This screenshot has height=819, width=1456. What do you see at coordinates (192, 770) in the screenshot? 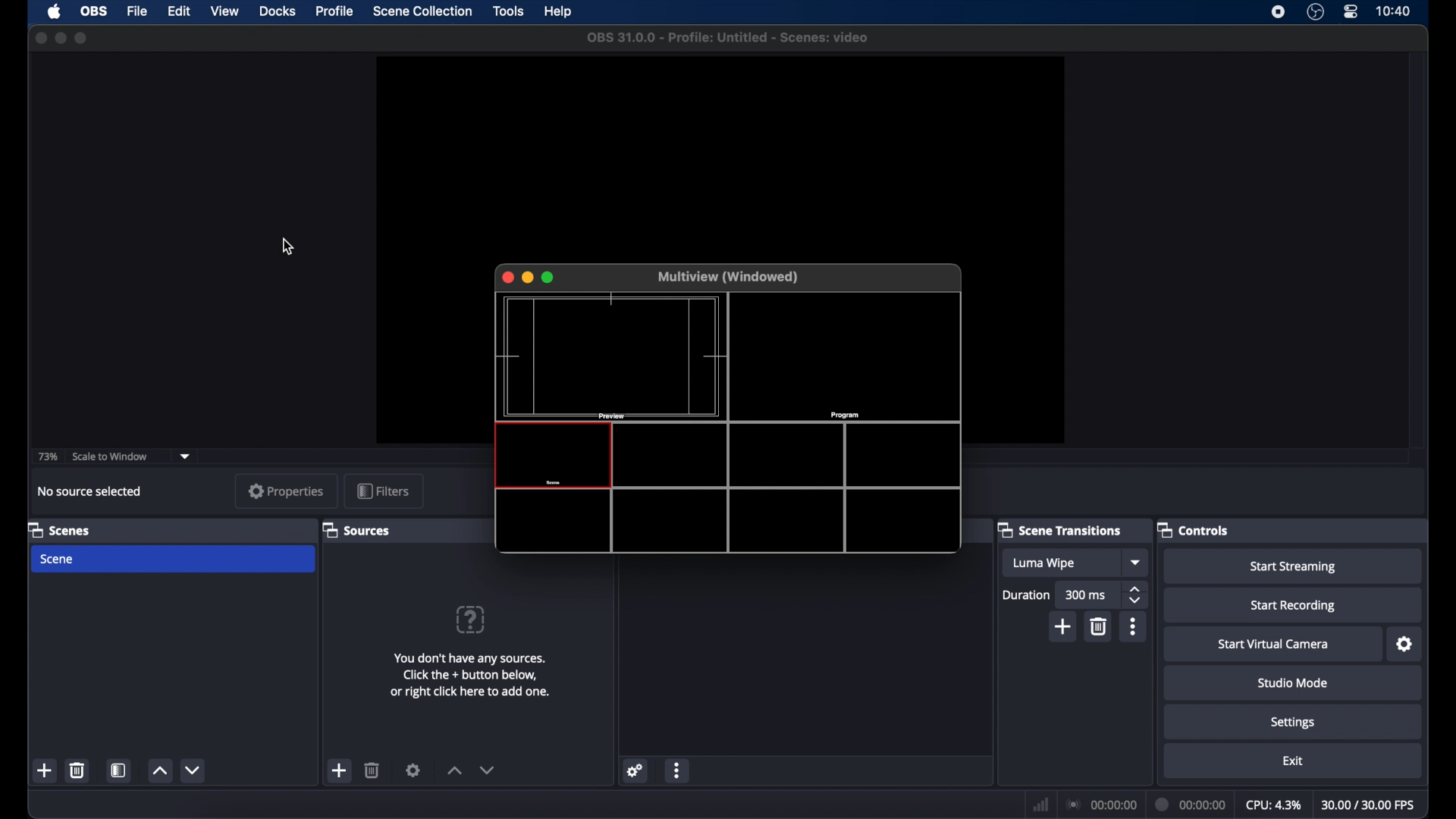
I see `decrement` at bounding box center [192, 770].